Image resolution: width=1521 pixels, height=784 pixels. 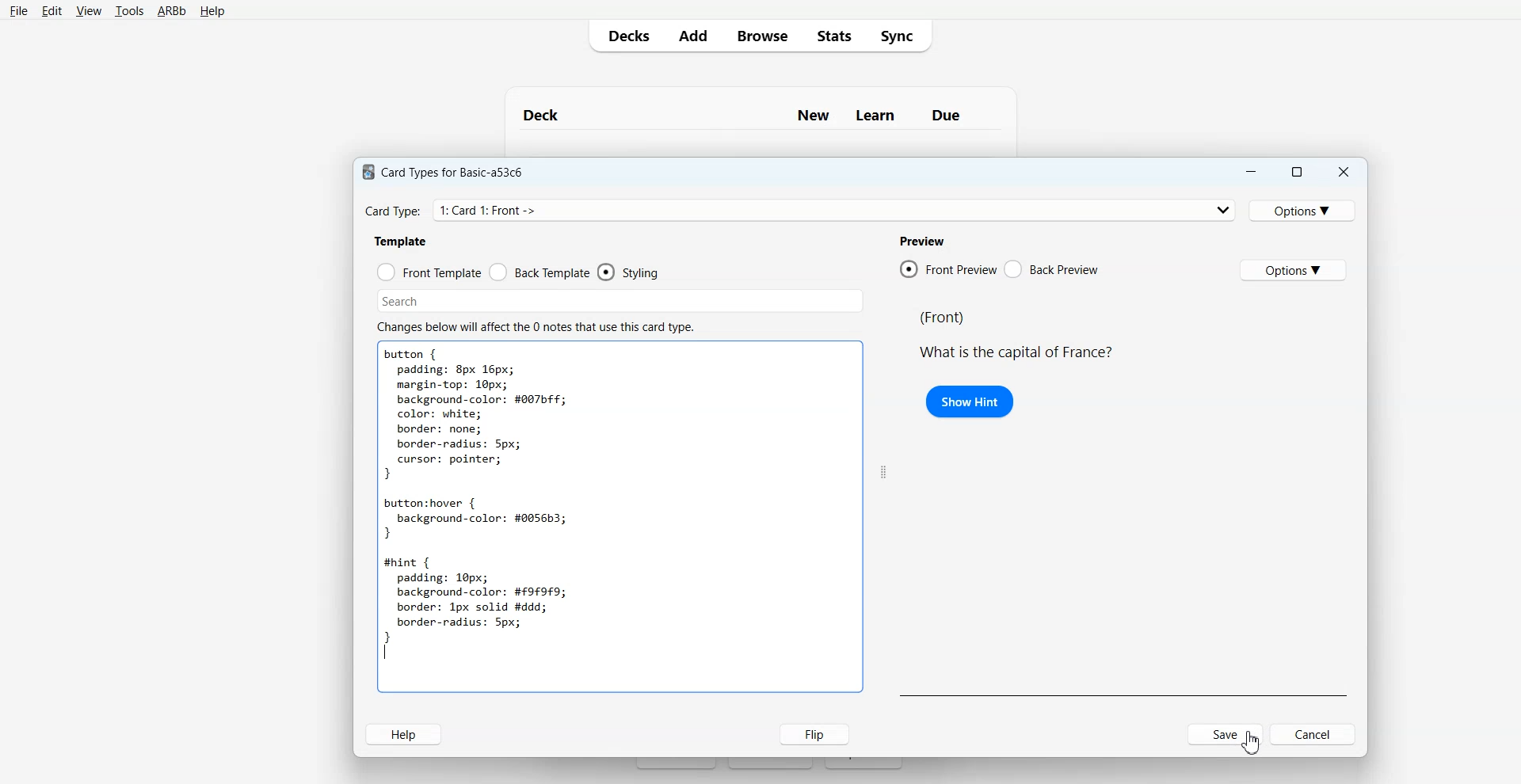 I want to click on Template, so click(x=402, y=241).